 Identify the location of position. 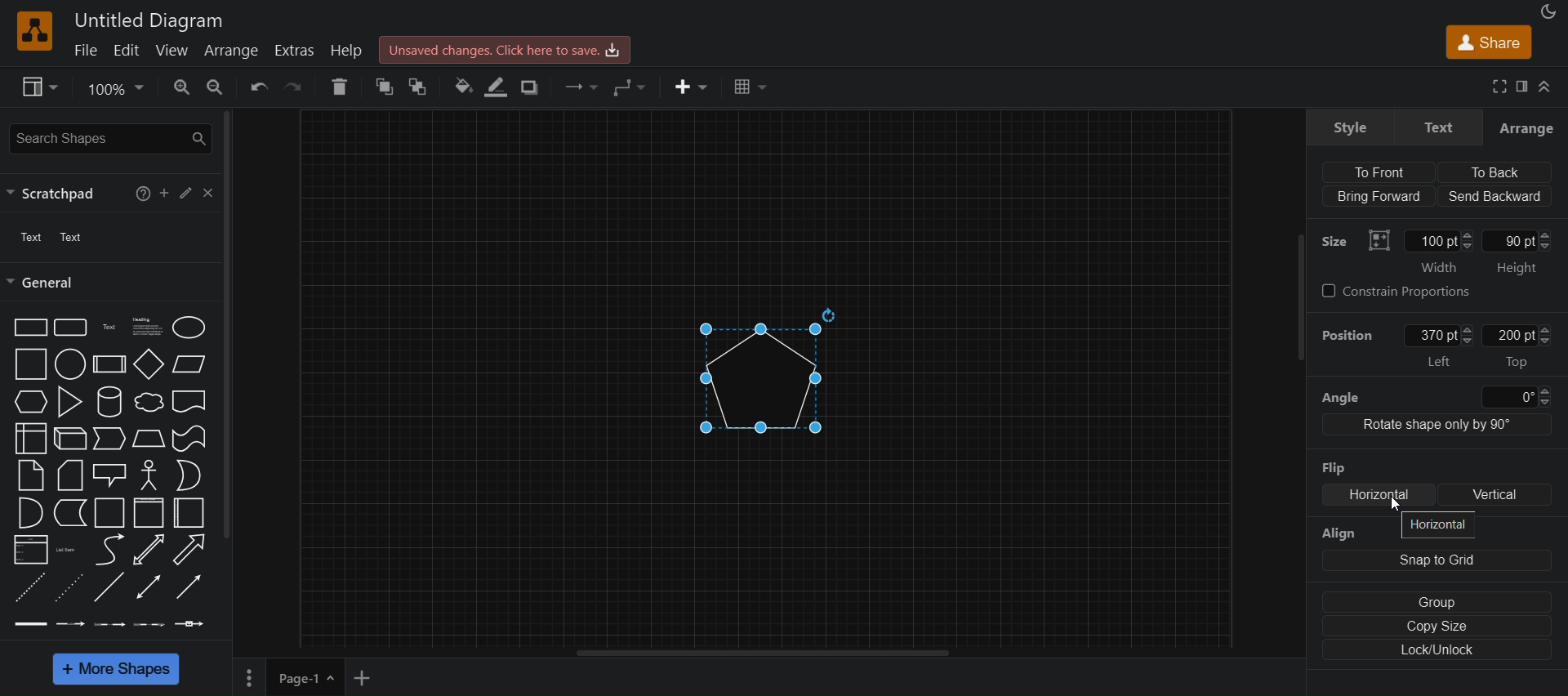
(1347, 335).